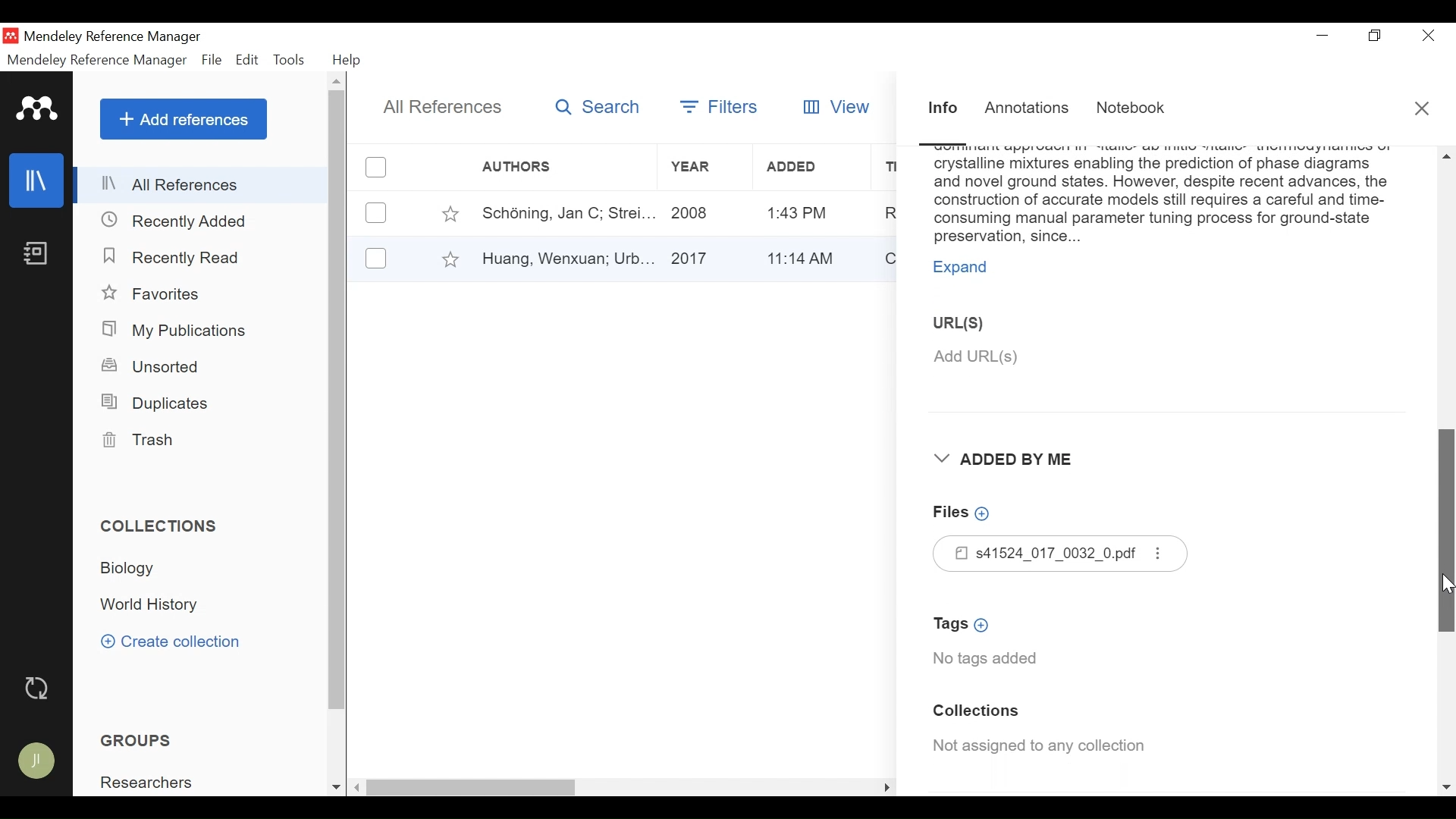  I want to click on Author, so click(566, 257).